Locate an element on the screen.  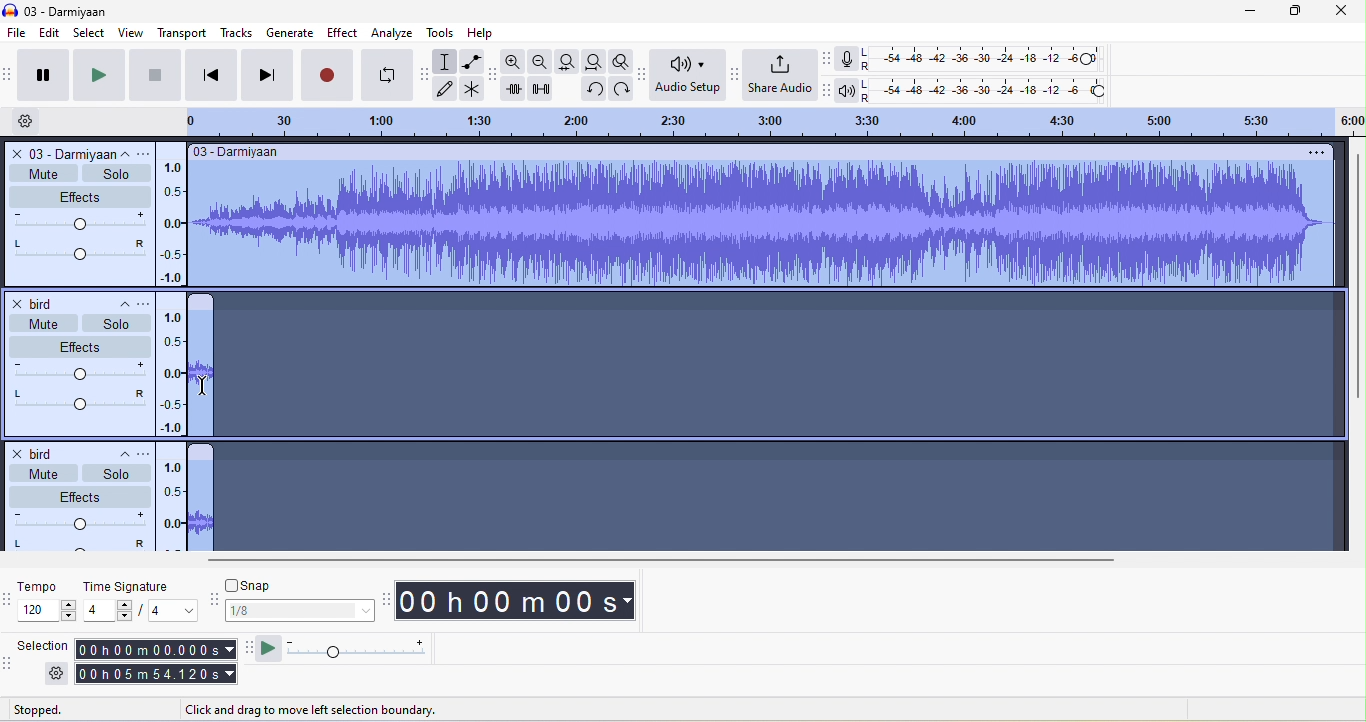
audacity recording meter toolbar is located at coordinates (829, 60).